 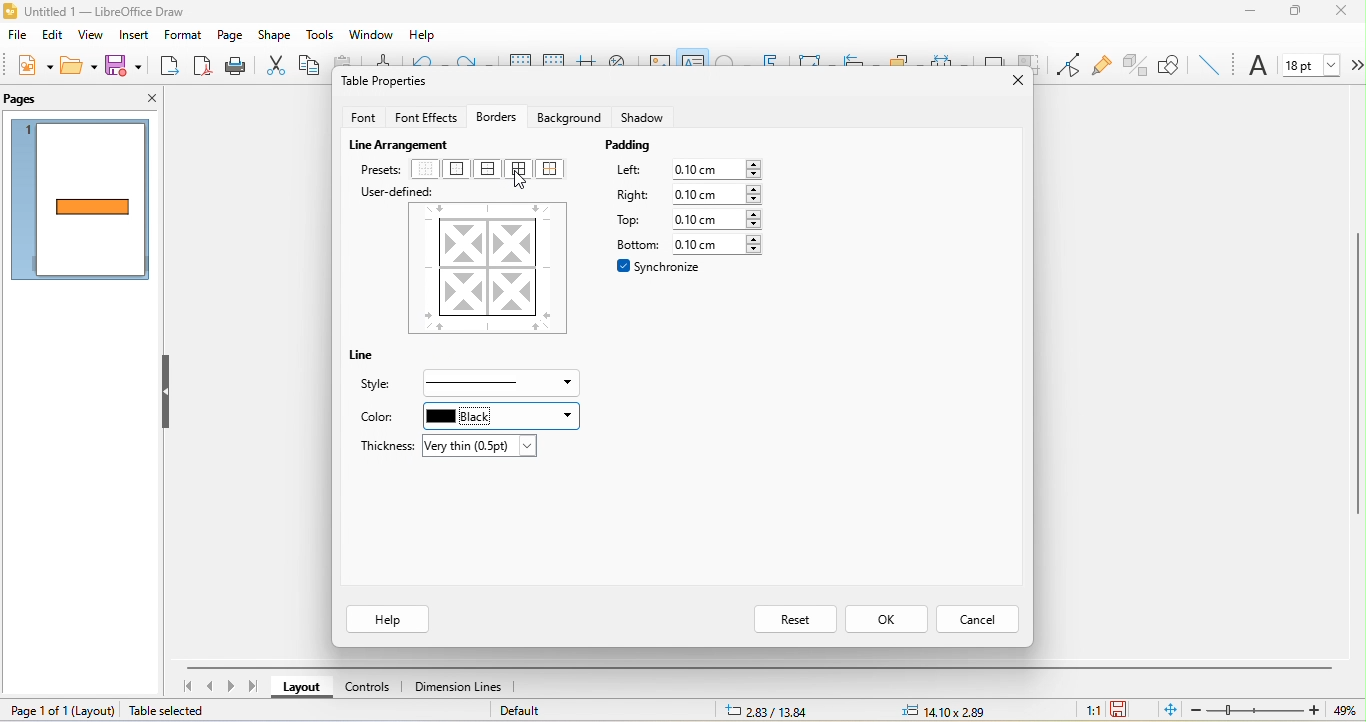 What do you see at coordinates (1258, 67) in the screenshot?
I see `font` at bounding box center [1258, 67].